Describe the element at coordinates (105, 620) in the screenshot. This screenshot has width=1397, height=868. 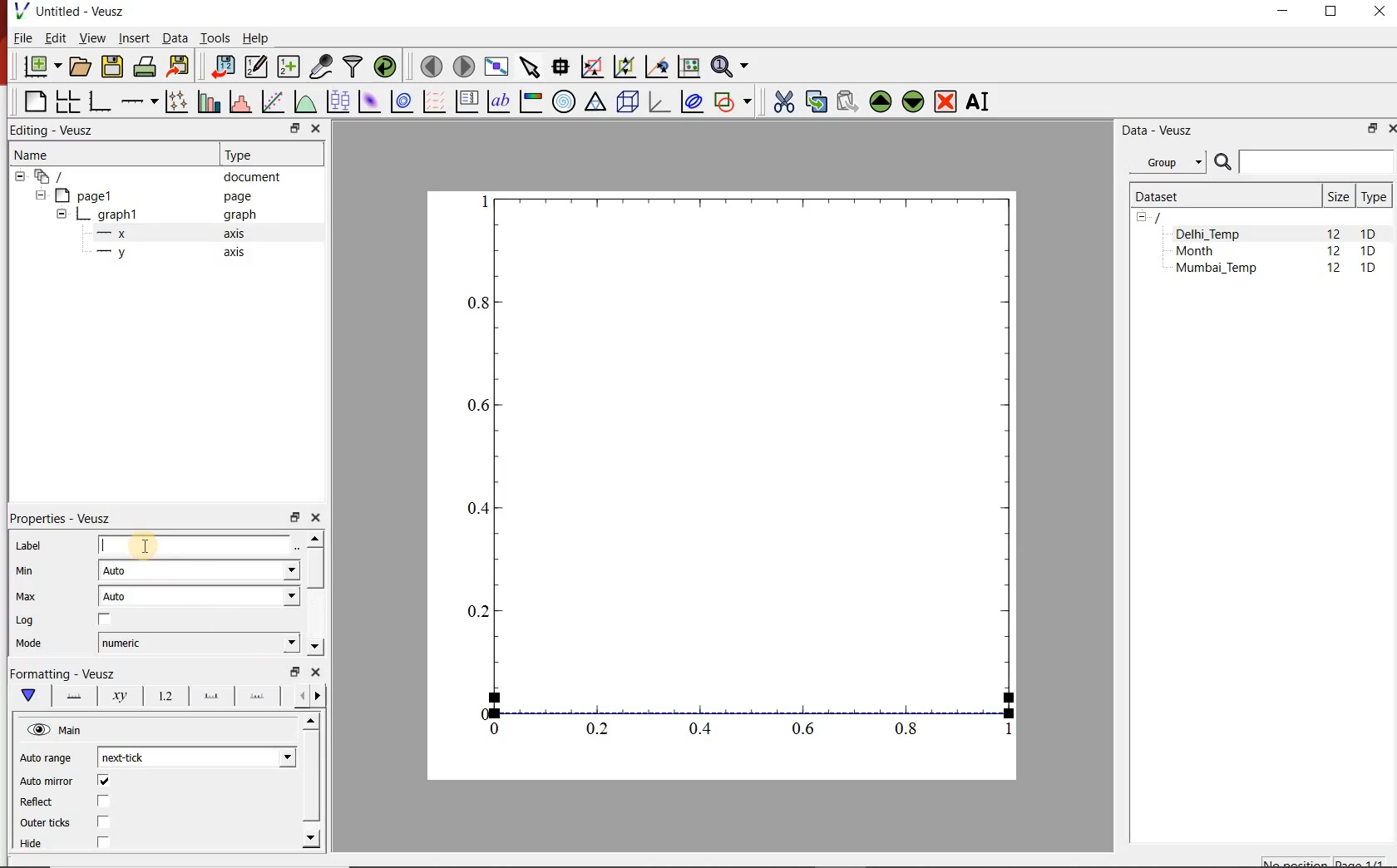
I see `check/uncheck` at that location.